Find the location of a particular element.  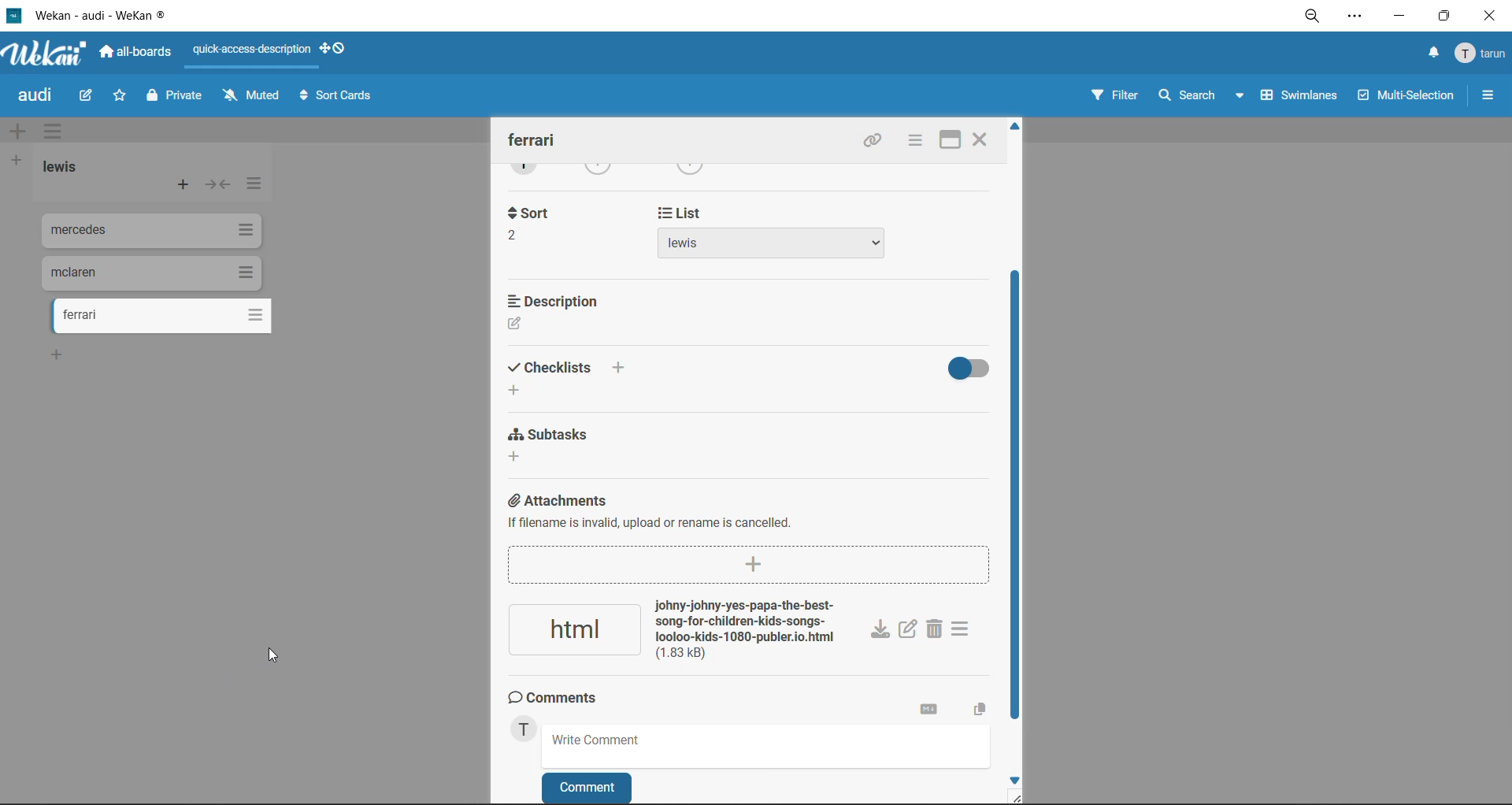

vertical scroll bar is located at coordinates (1016, 497).